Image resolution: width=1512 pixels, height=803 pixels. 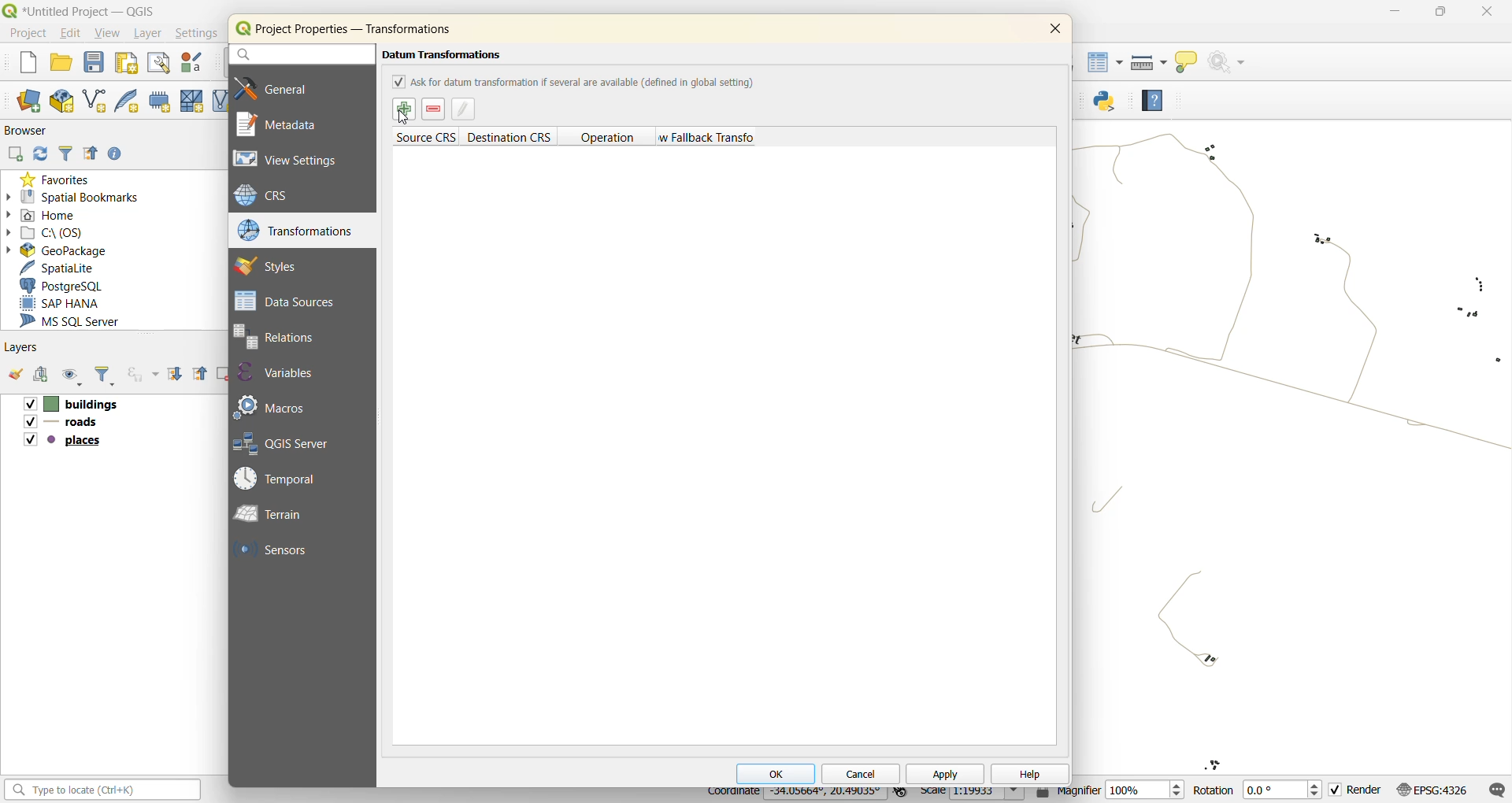 What do you see at coordinates (797, 795) in the screenshot?
I see `coordinates` at bounding box center [797, 795].